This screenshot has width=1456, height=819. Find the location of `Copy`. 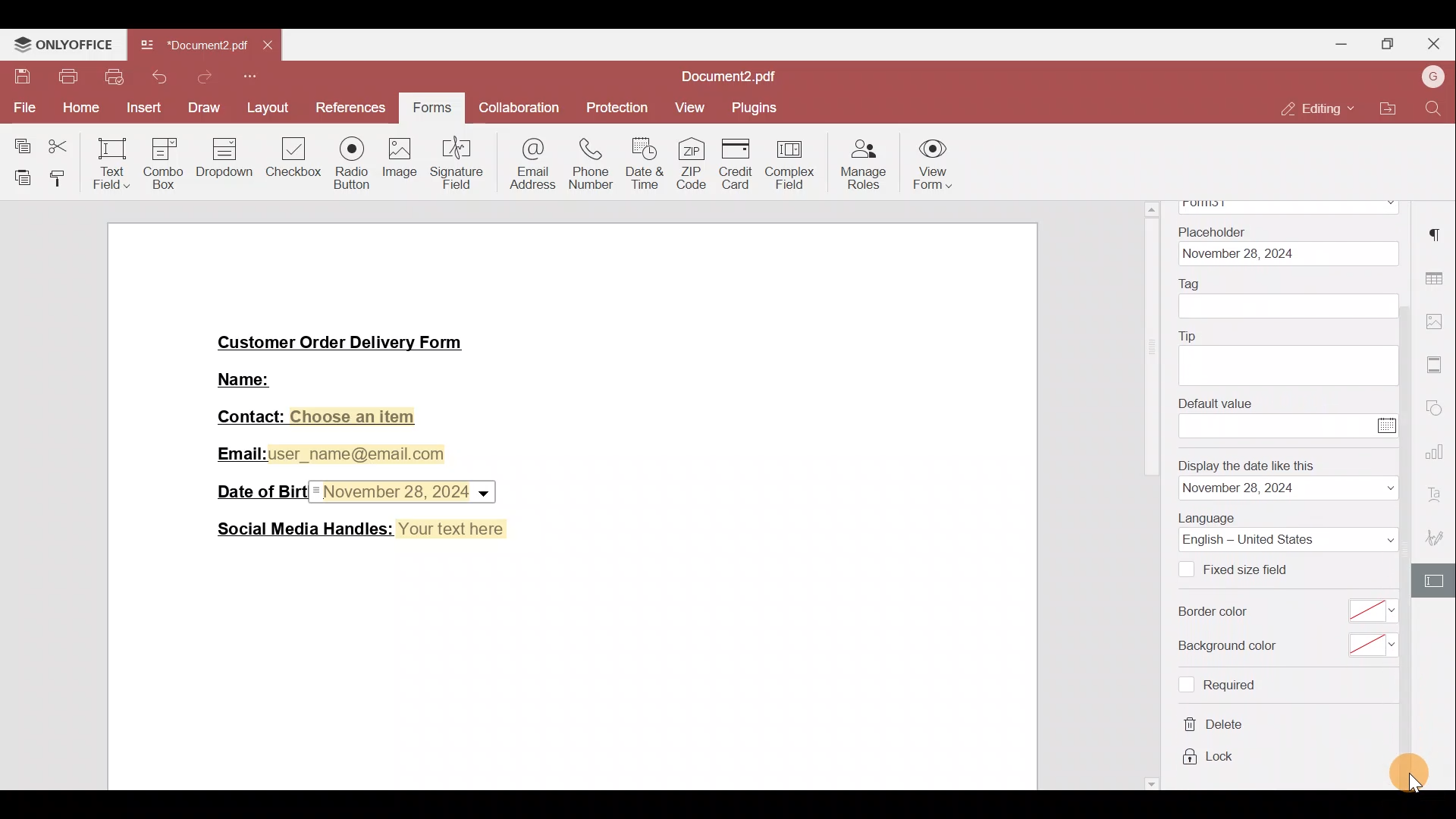

Copy is located at coordinates (19, 143).